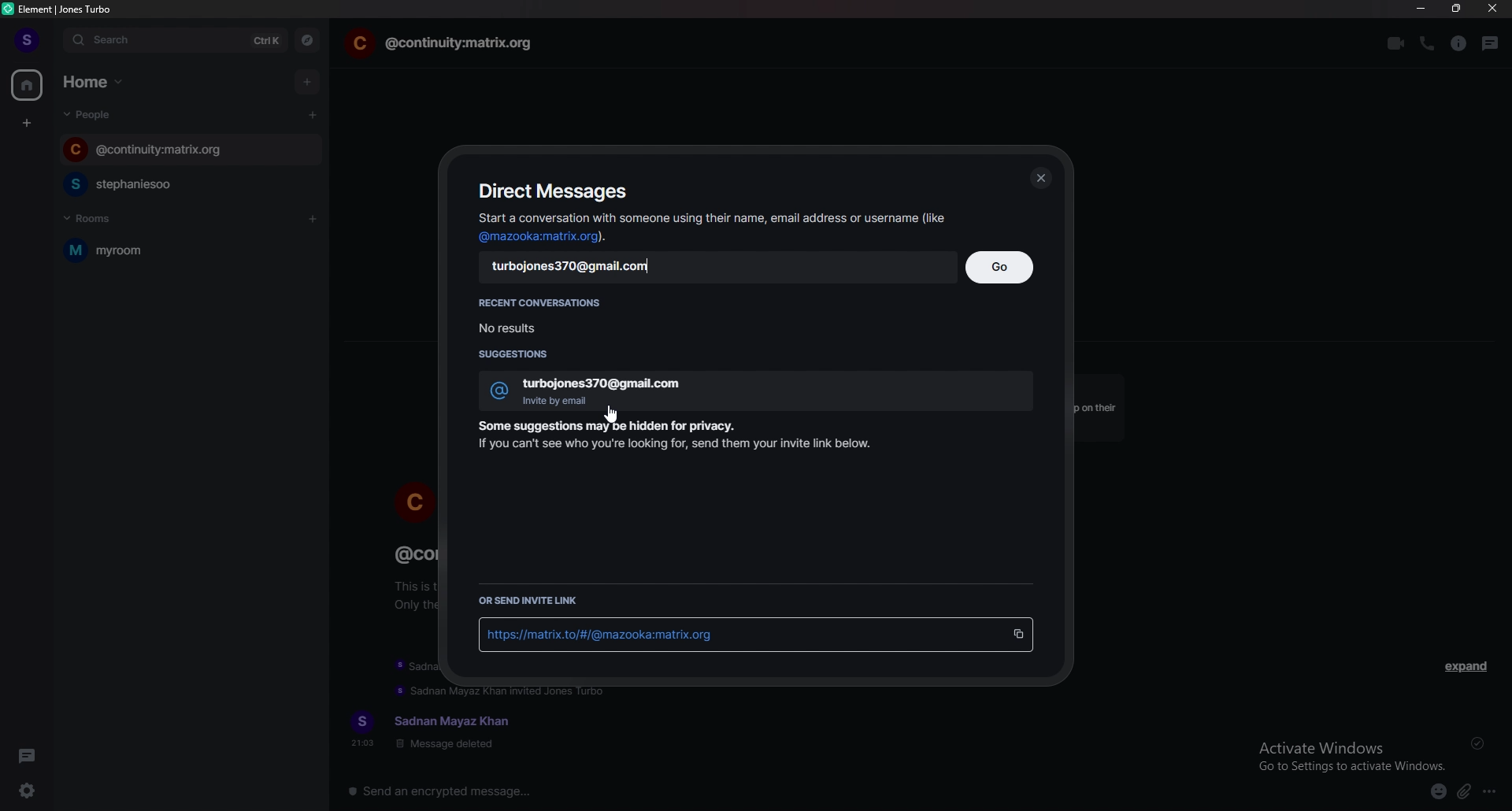 The height and width of the screenshot is (811, 1512). Describe the element at coordinates (28, 124) in the screenshot. I see `create space` at that location.